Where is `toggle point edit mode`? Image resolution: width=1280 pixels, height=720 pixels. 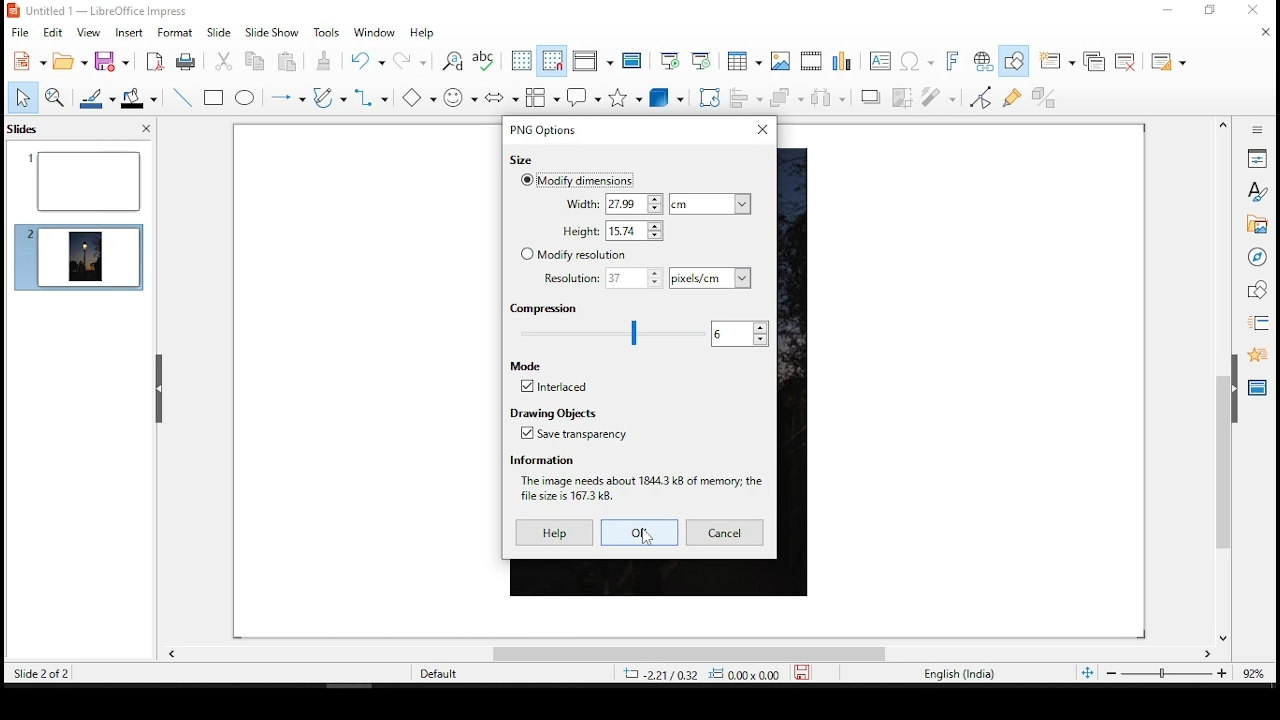
toggle point edit mode is located at coordinates (981, 100).